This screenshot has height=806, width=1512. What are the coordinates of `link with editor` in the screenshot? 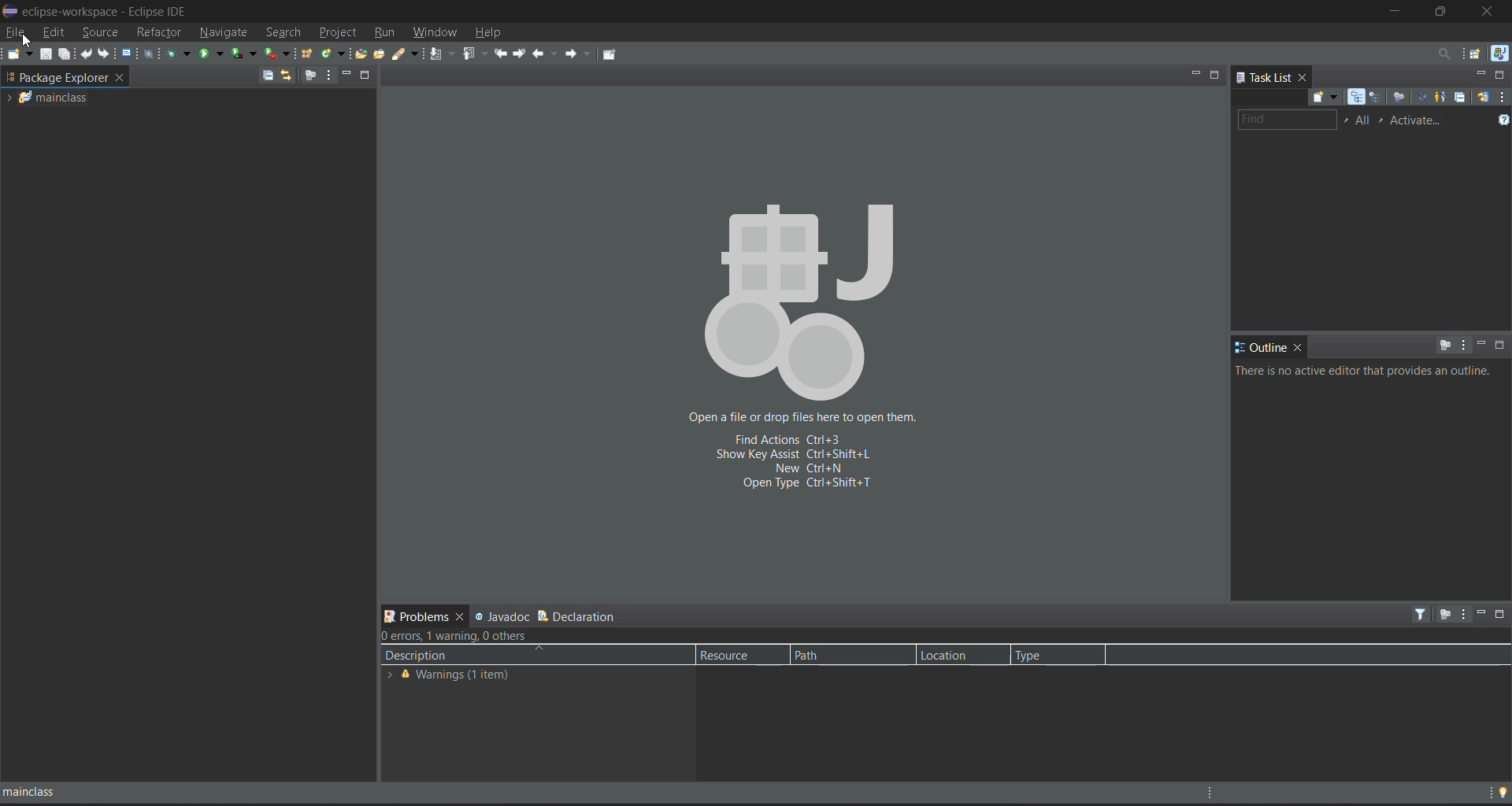 It's located at (286, 75).